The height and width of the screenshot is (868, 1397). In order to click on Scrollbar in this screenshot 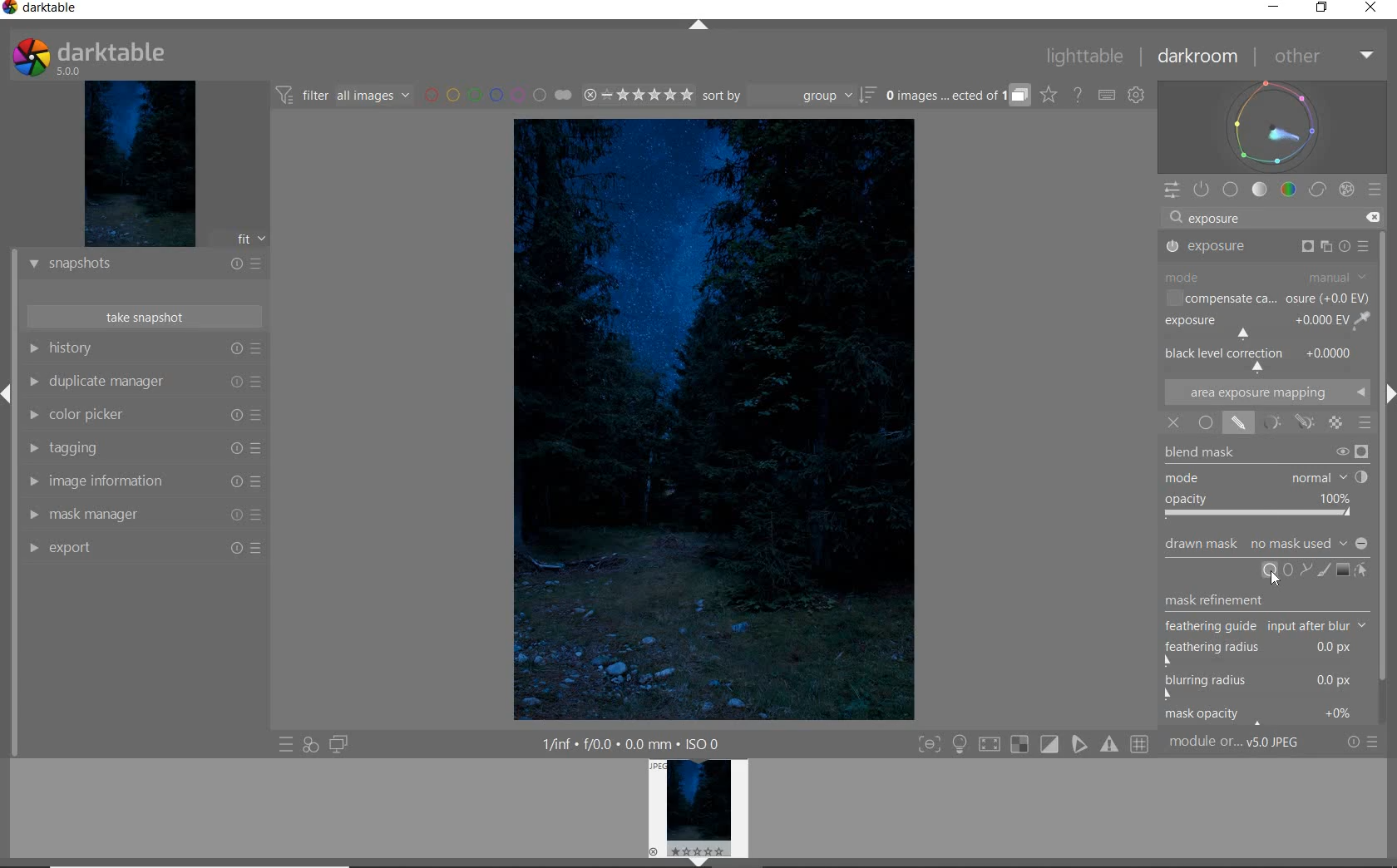, I will do `click(1389, 565)`.